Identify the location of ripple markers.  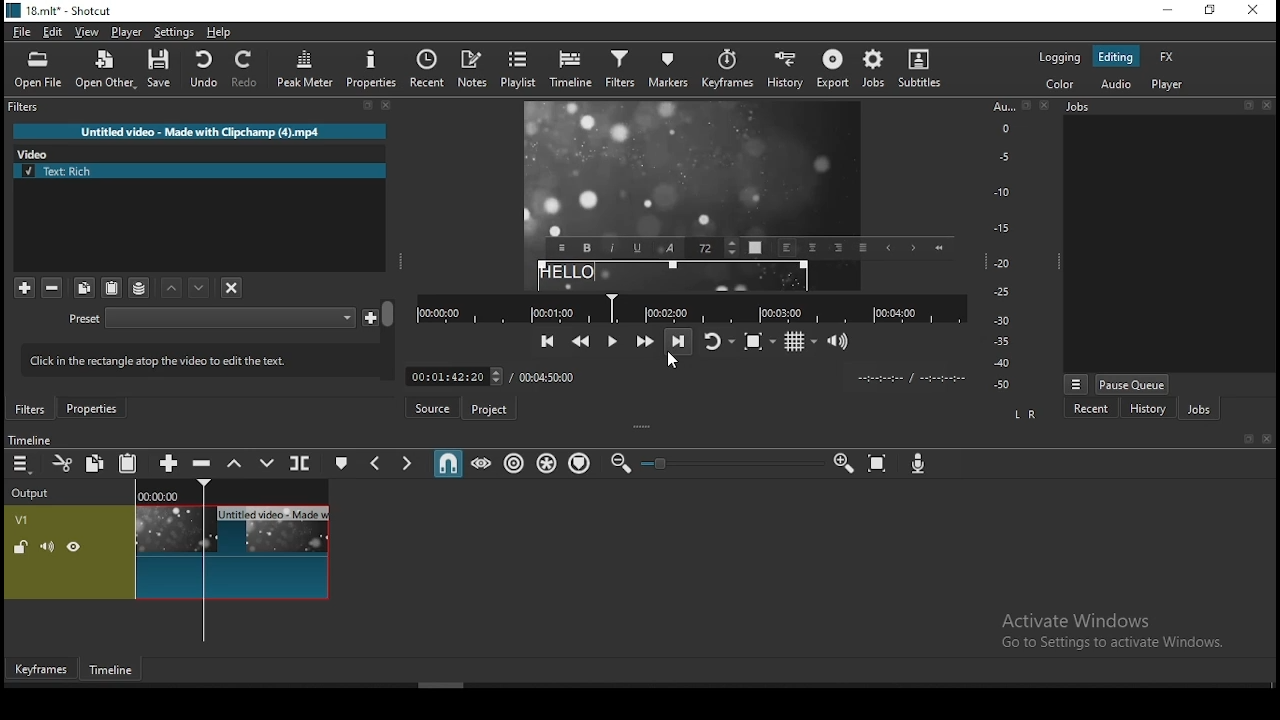
(582, 464).